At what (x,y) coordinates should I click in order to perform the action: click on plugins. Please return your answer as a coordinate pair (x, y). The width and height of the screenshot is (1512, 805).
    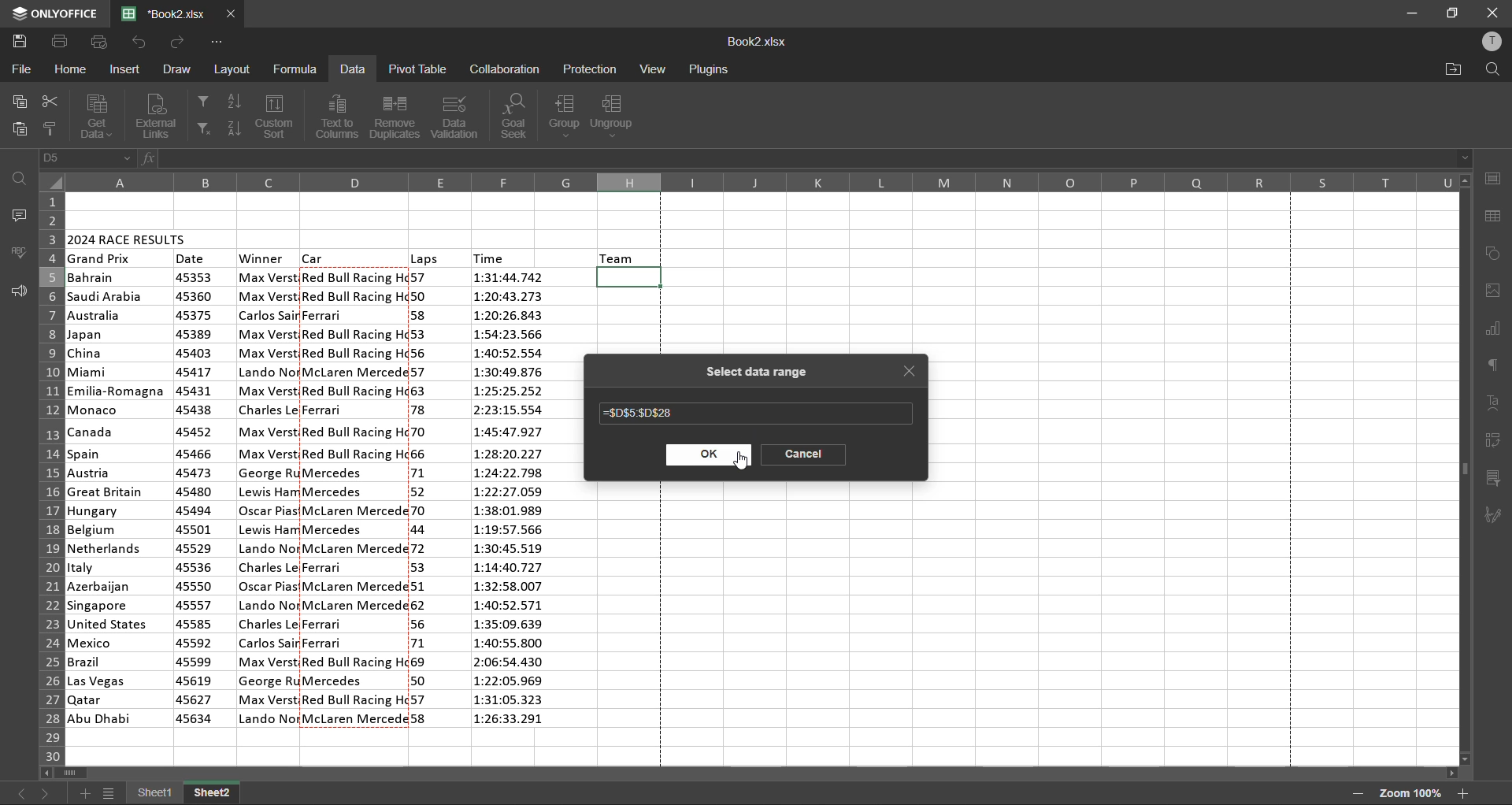
    Looking at the image, I should click on (708, 70).